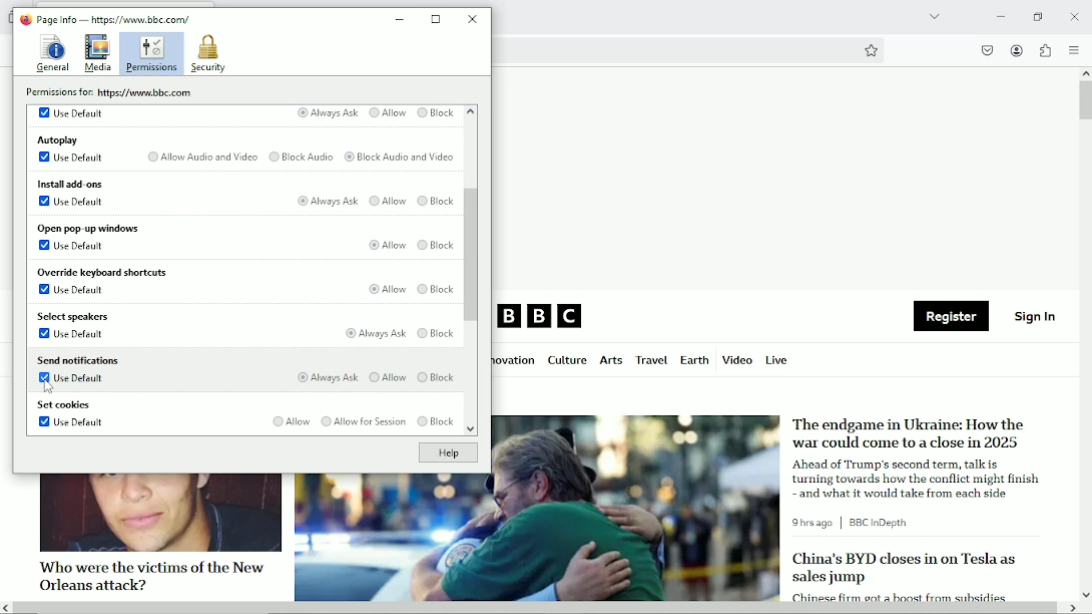  Describe the element at coordinates (436, 291) in the screenshot. I see `Block` at that location.